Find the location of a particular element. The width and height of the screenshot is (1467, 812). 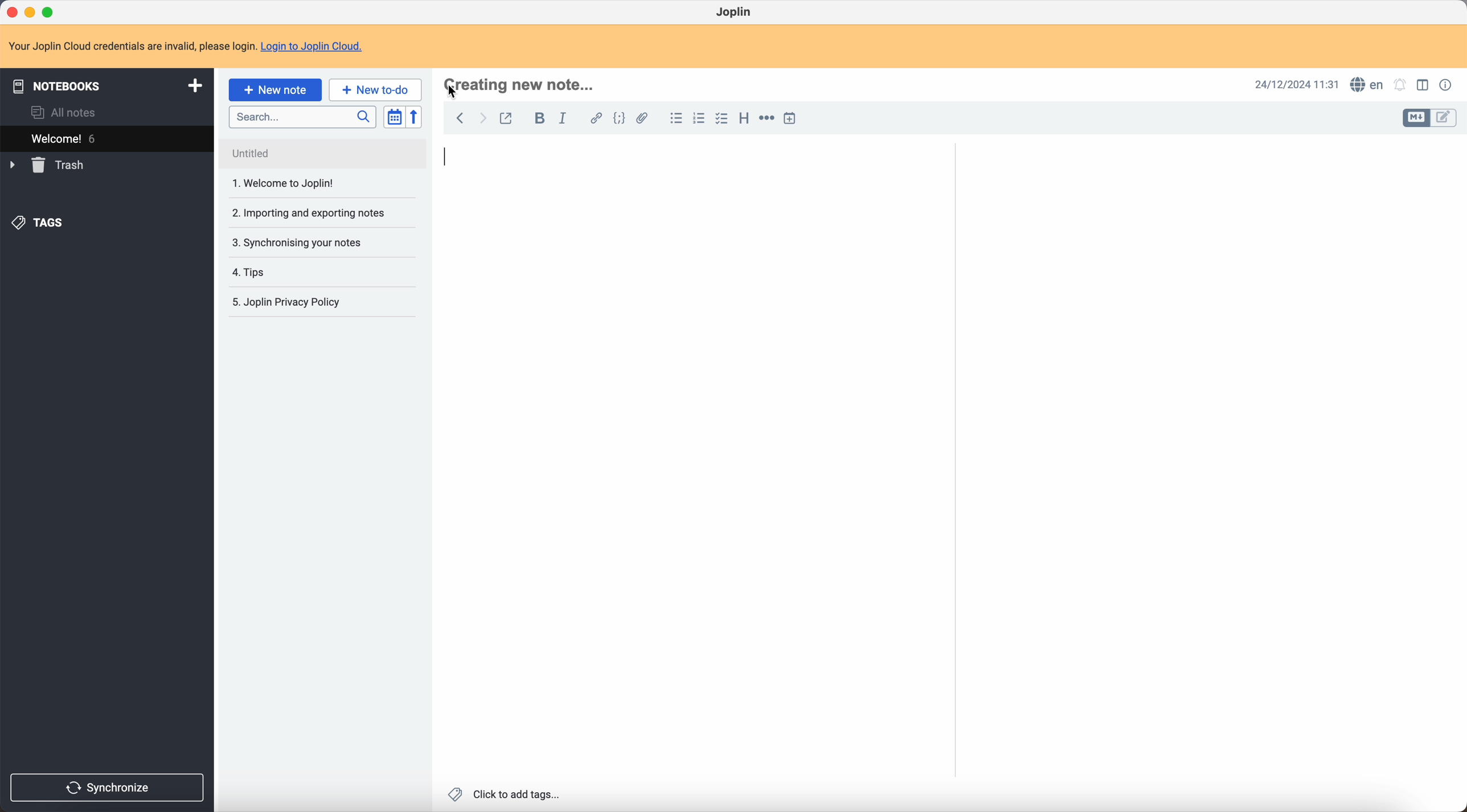

welcome is located at coordinates (108, 138).